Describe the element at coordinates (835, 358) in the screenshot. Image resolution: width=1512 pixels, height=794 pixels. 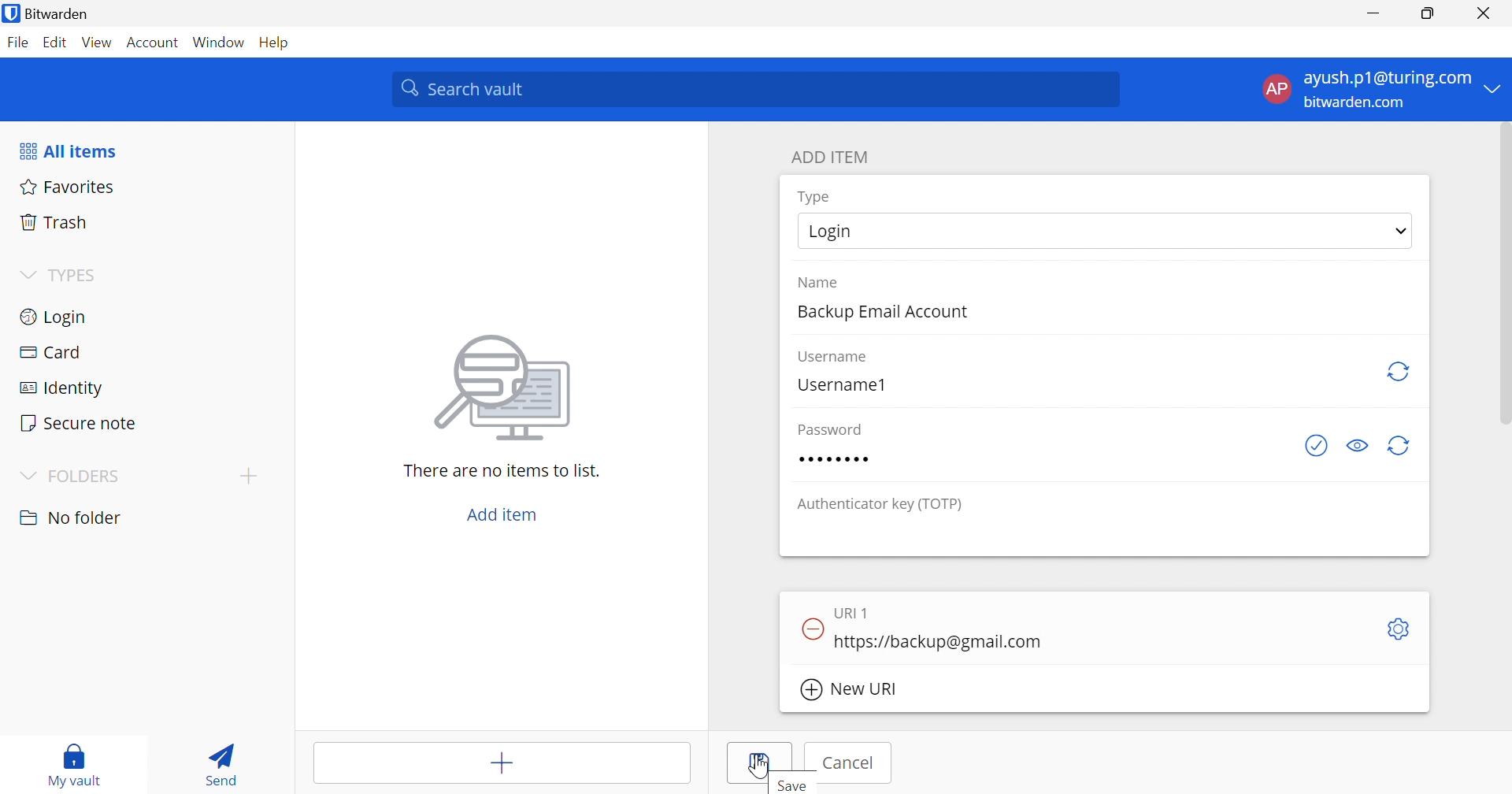
I see `Username` at that location.